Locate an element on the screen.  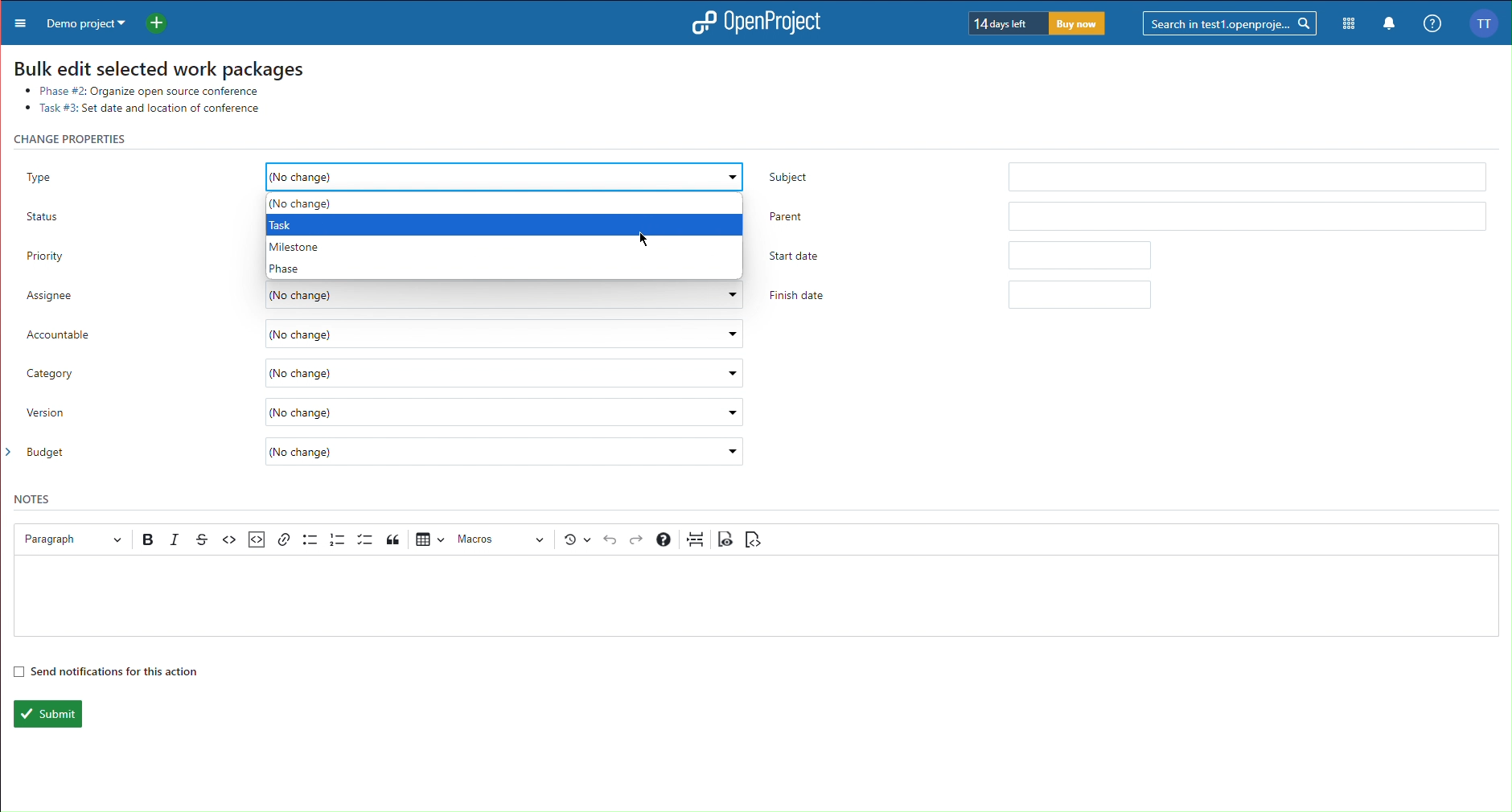
Modules is located at coordinates (1350, 24).